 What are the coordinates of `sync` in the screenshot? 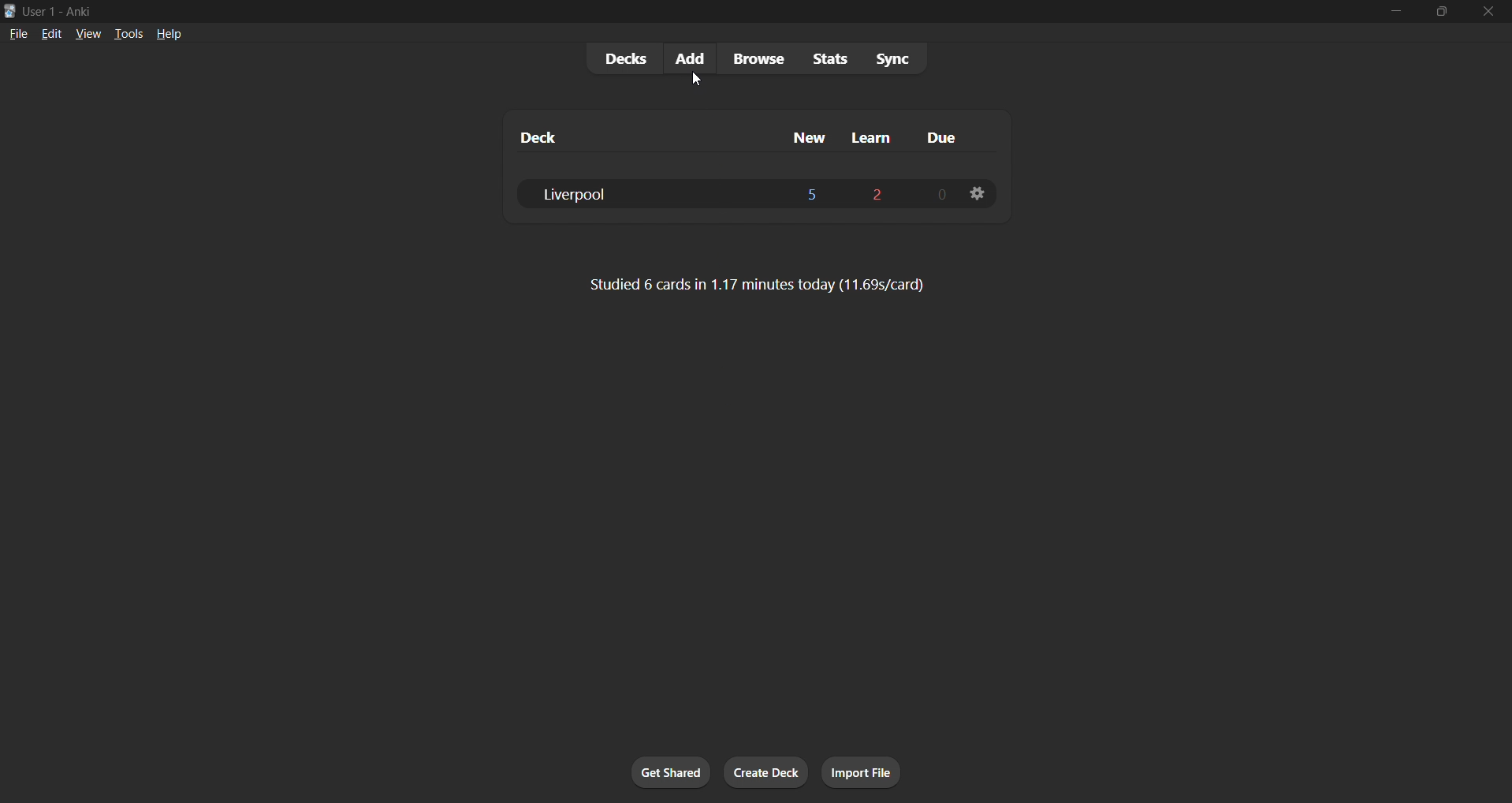 It's located at (892, 58).